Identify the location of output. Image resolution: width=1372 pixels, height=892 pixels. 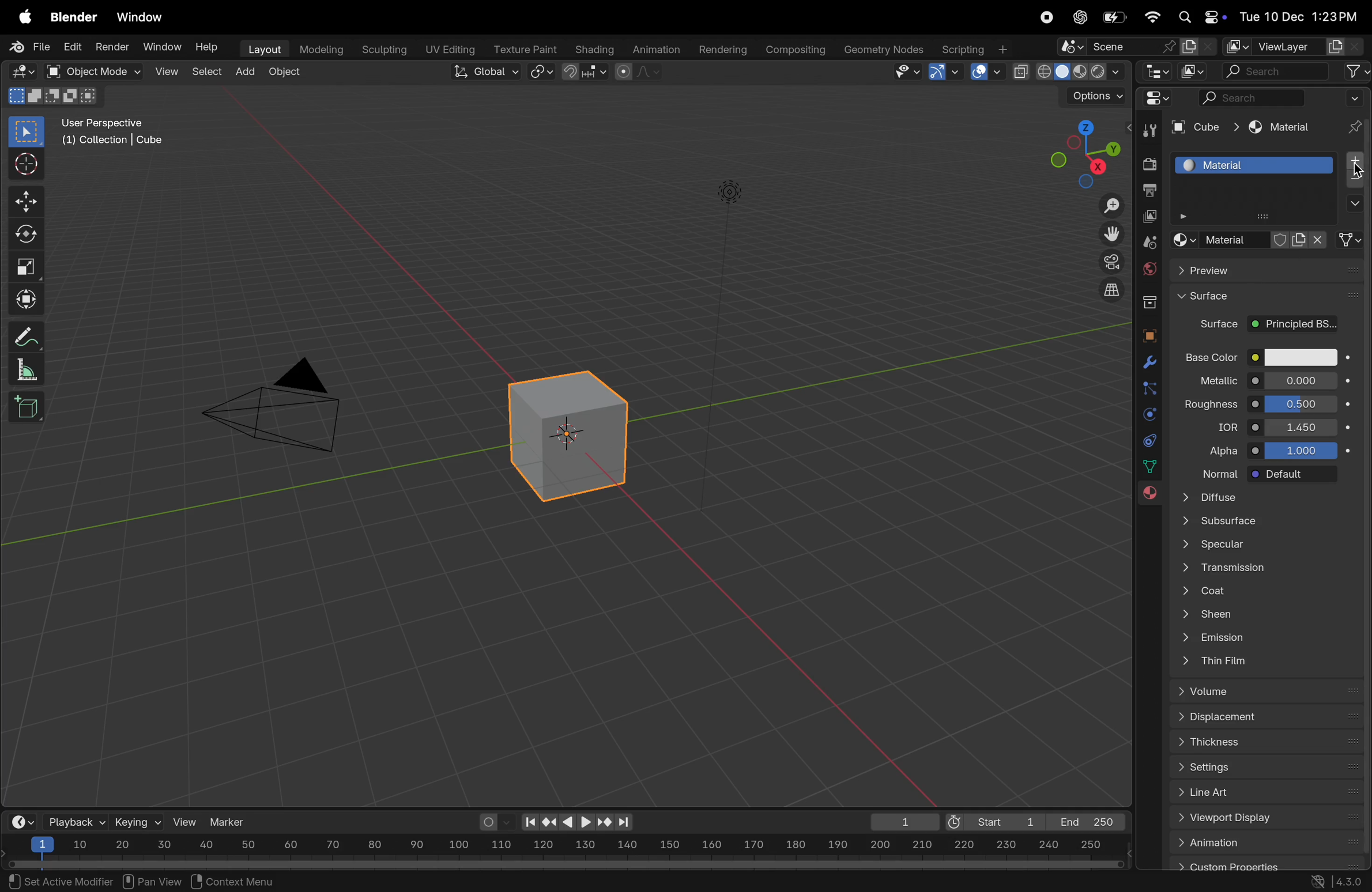
(1149, 190).